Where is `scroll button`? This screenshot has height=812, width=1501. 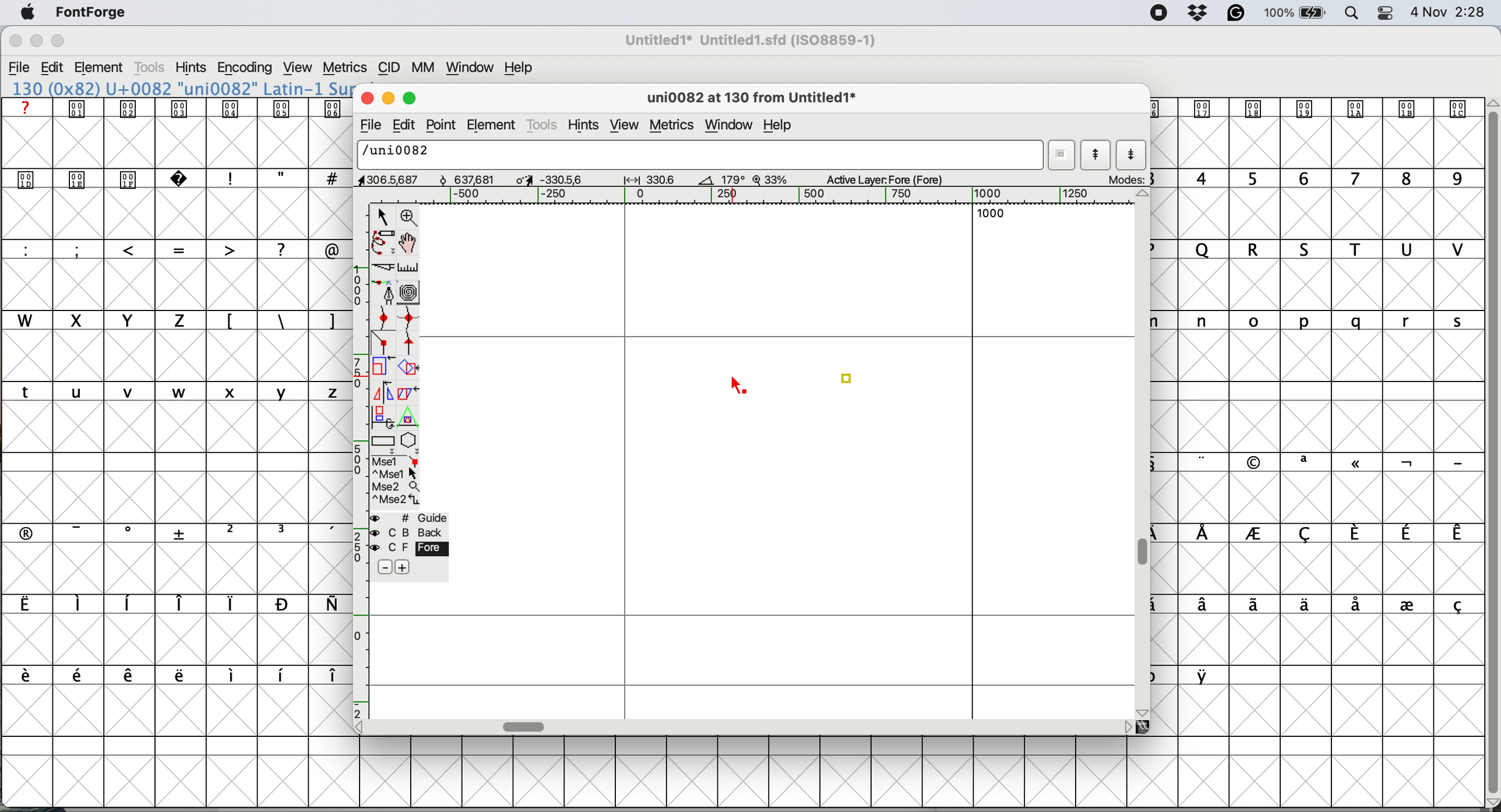 scroll button is located at coordinates (1144, 711).